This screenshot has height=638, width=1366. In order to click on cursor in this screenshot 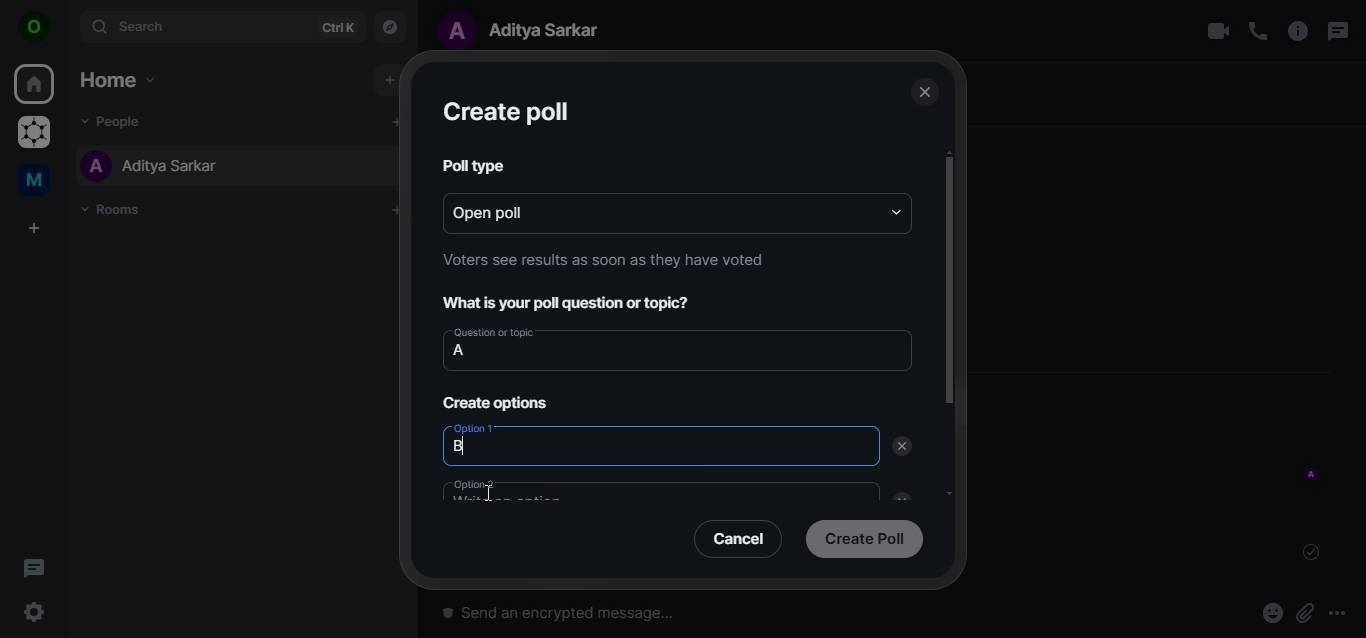, I will do `click(489, 491)`.